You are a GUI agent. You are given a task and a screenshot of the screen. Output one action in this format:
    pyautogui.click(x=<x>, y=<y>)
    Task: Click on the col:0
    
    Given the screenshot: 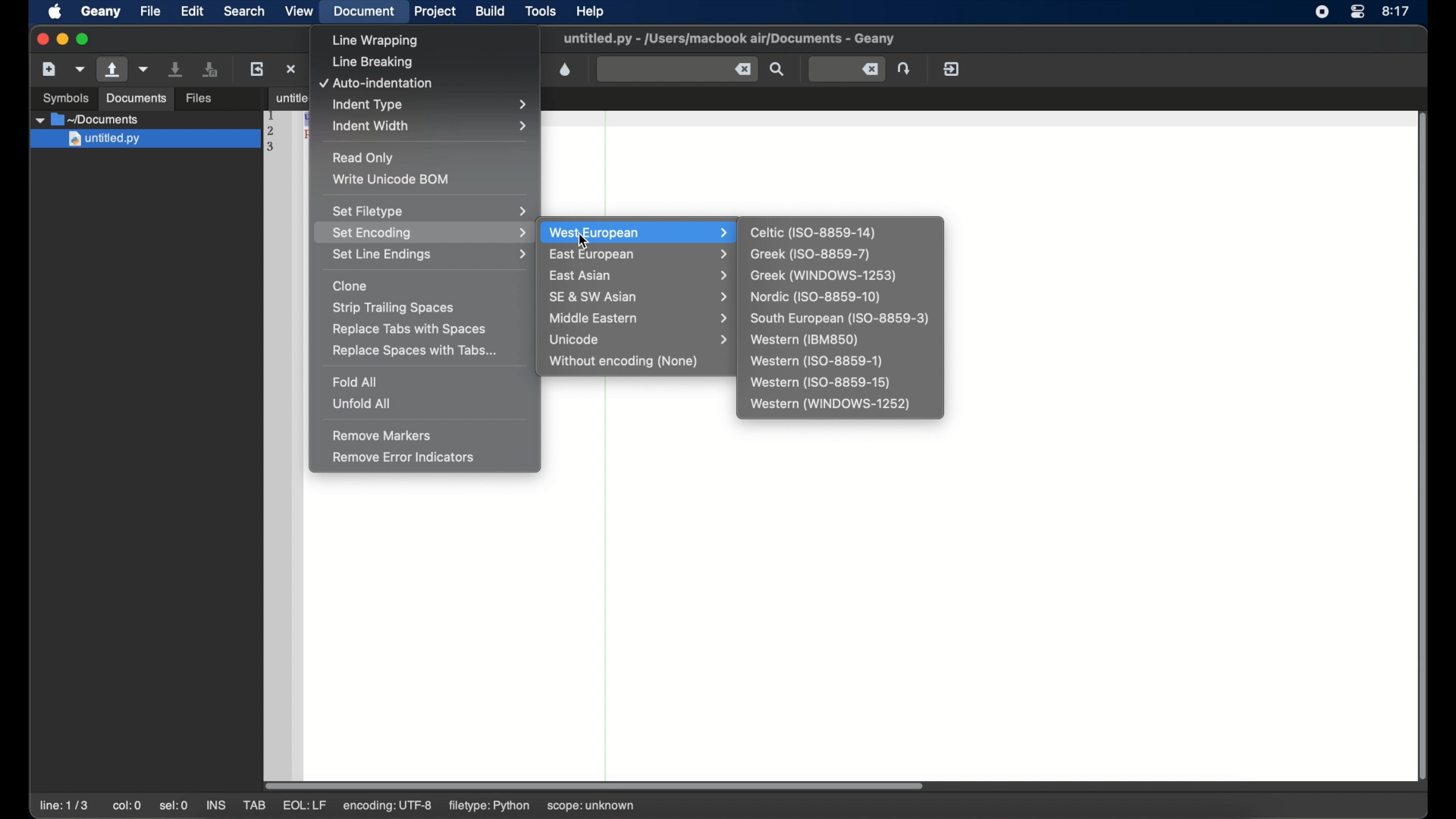 What is the action you would take?
    pyautogui.click(x=127, y=805)
    